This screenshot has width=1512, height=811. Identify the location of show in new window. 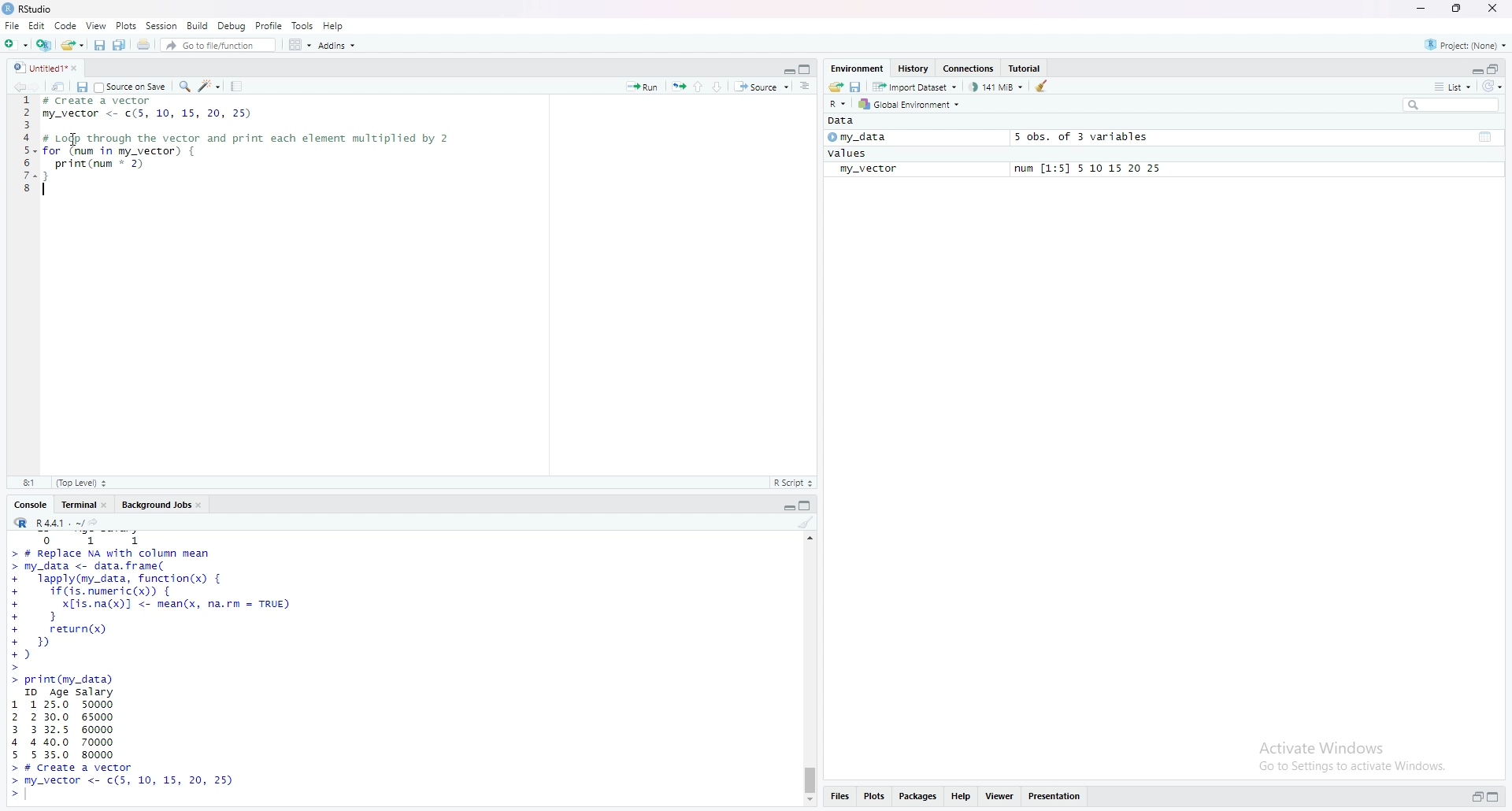
(59, 87).